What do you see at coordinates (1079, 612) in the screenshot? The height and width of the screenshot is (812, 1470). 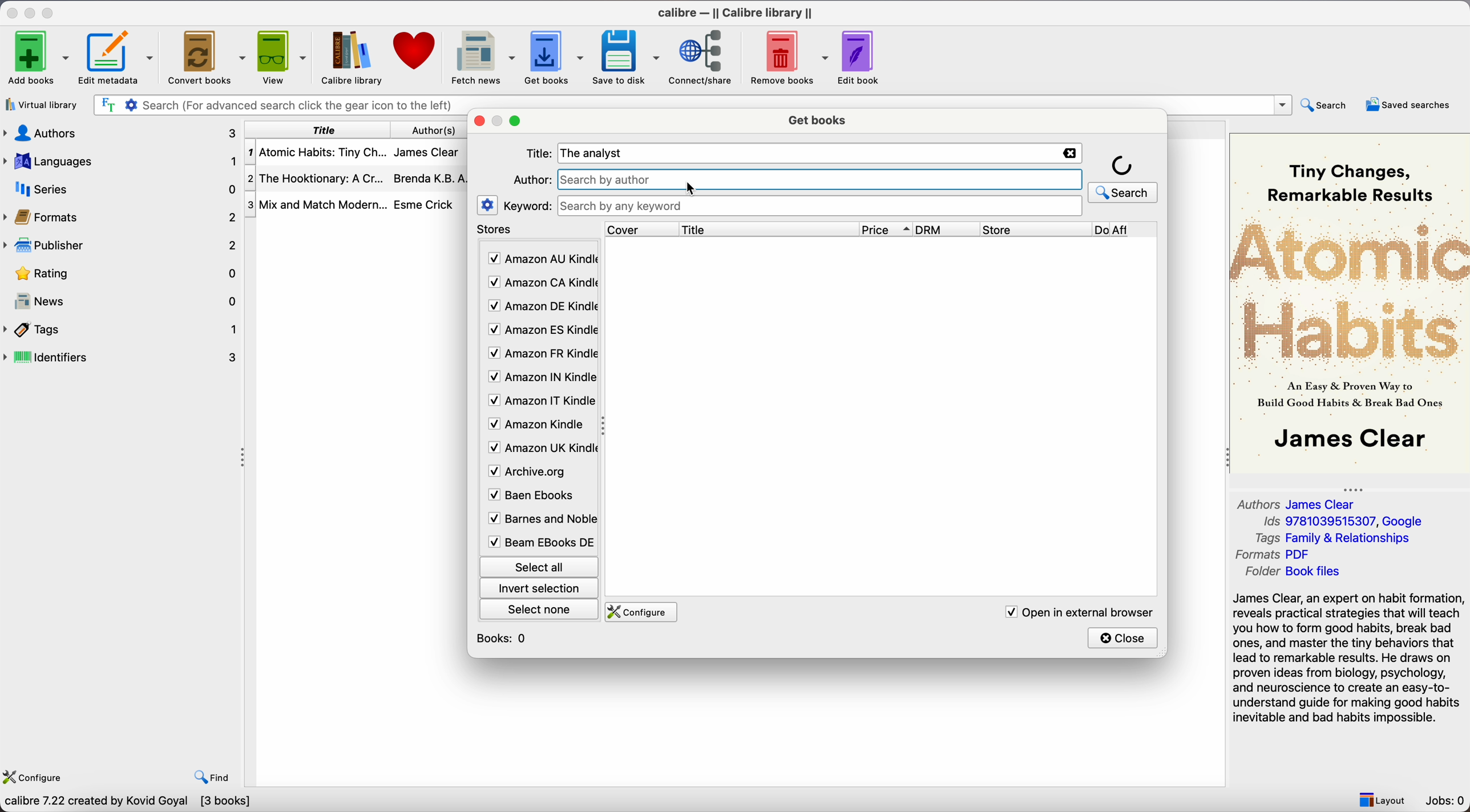 I see `open in external browser` at bounding box center [1079, 612].